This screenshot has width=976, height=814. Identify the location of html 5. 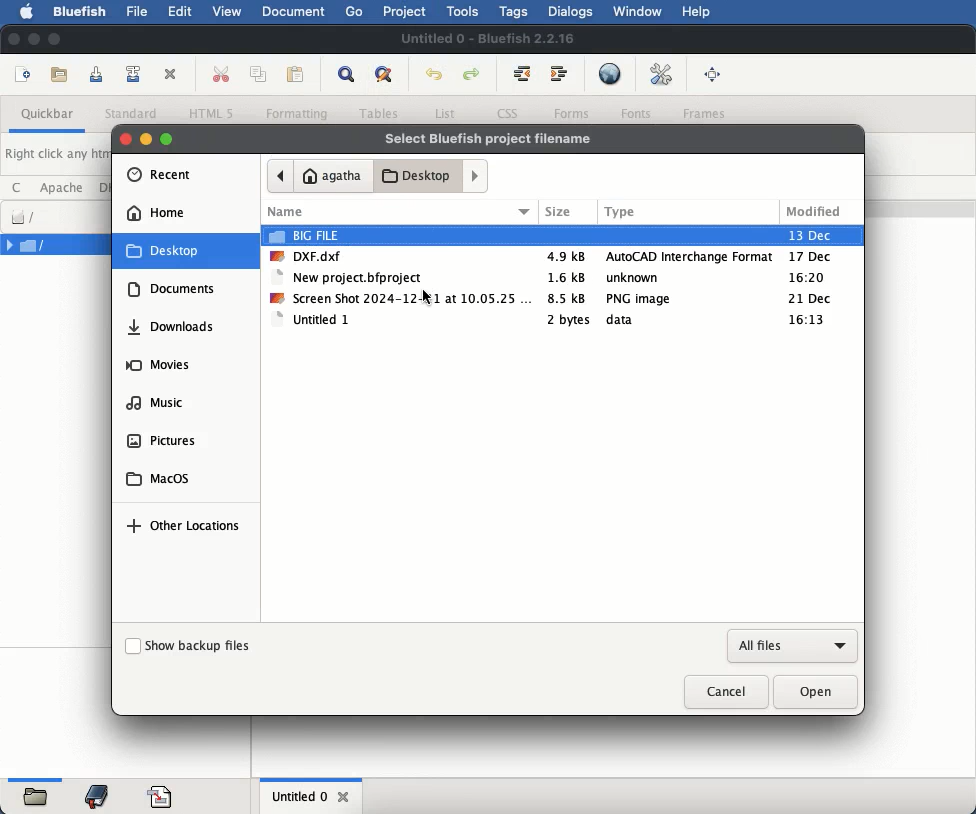
(211, 113).